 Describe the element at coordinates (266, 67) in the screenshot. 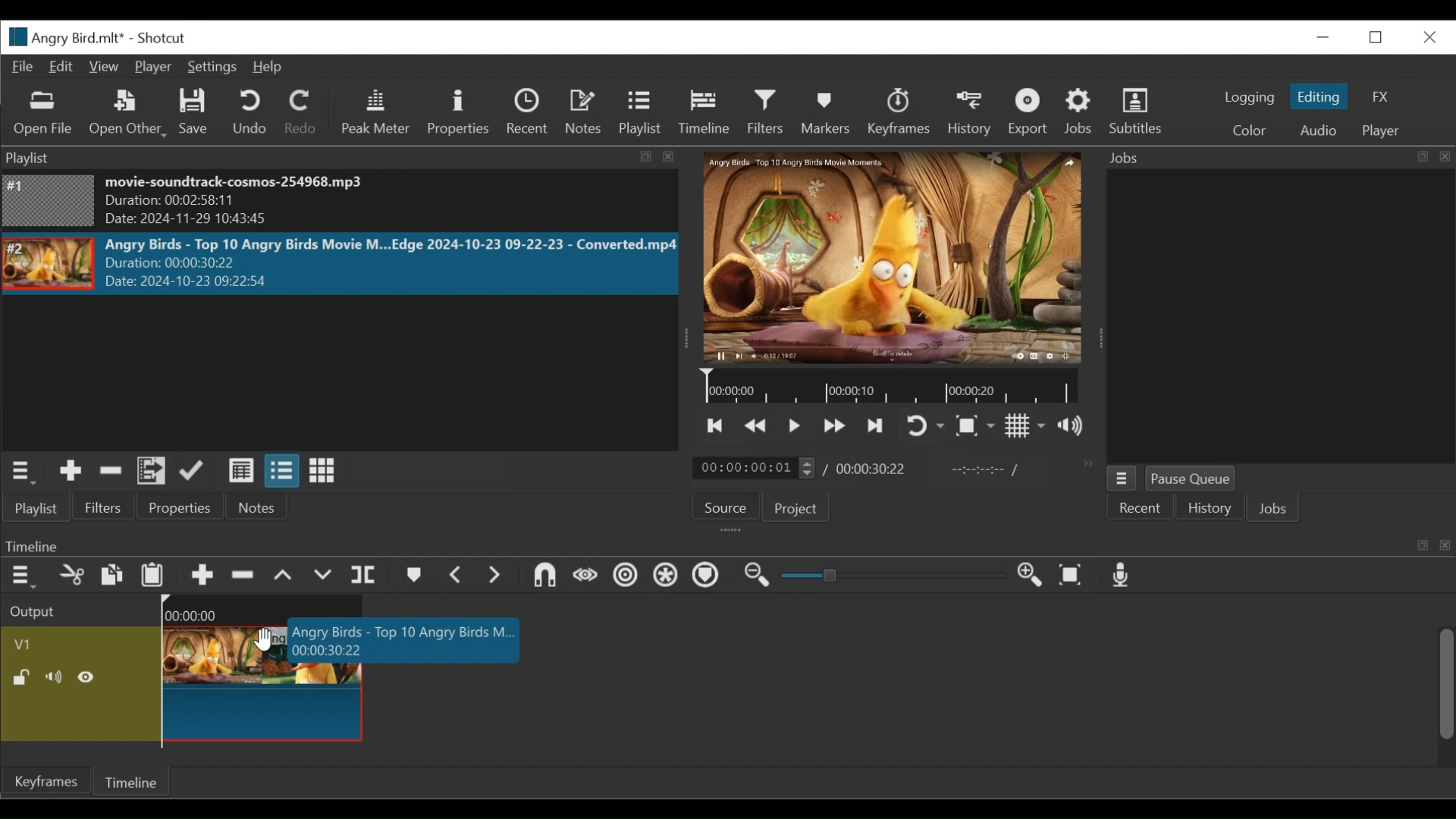

I see `Help` at that location.